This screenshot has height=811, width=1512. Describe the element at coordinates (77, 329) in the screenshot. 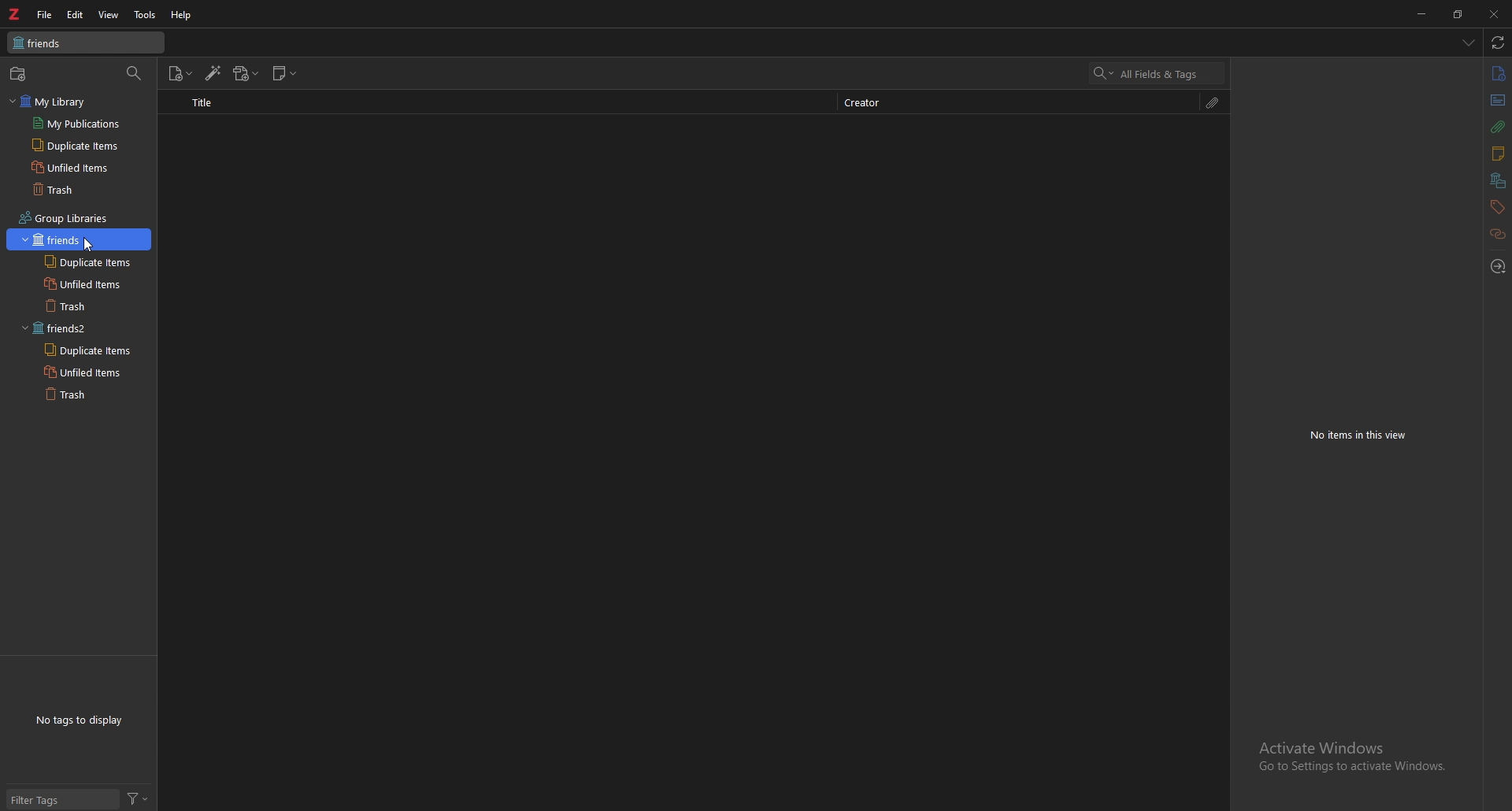

I see `grouped library 2` at that location.